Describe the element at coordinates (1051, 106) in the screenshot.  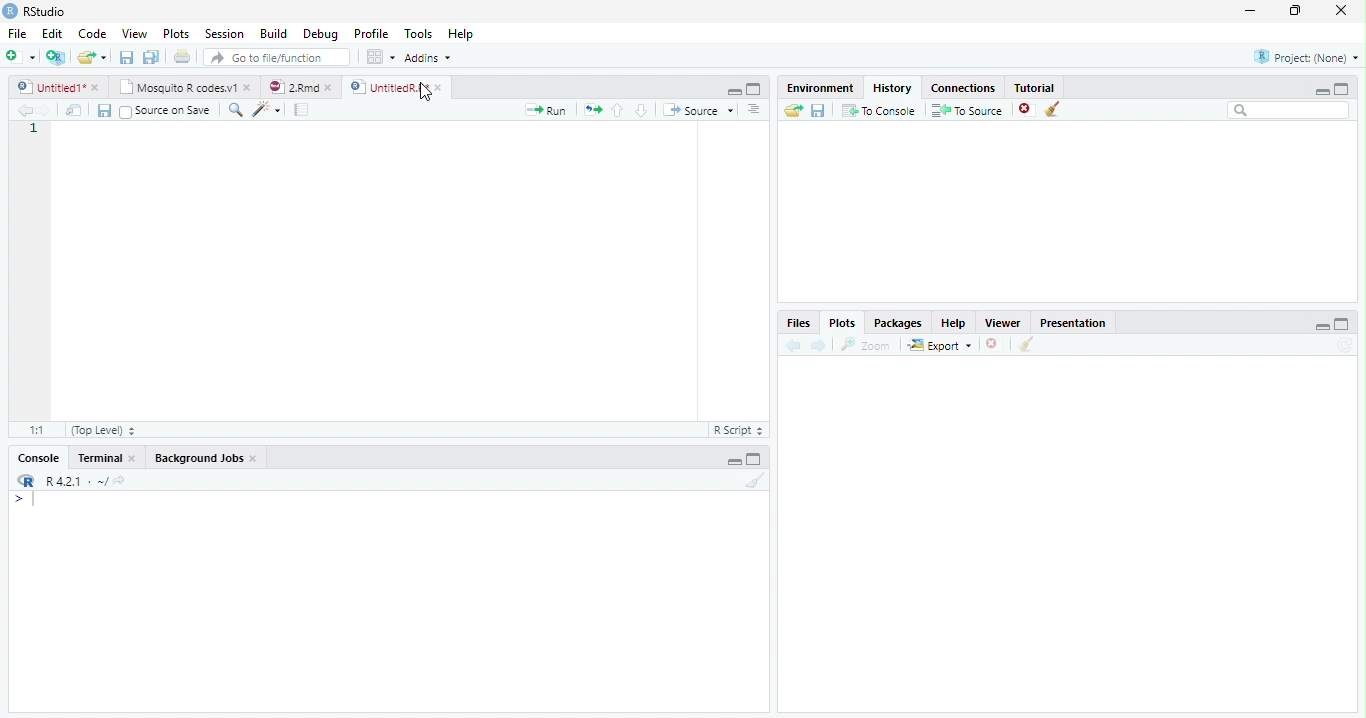
I see `Clear objects from the workspace` at that location.